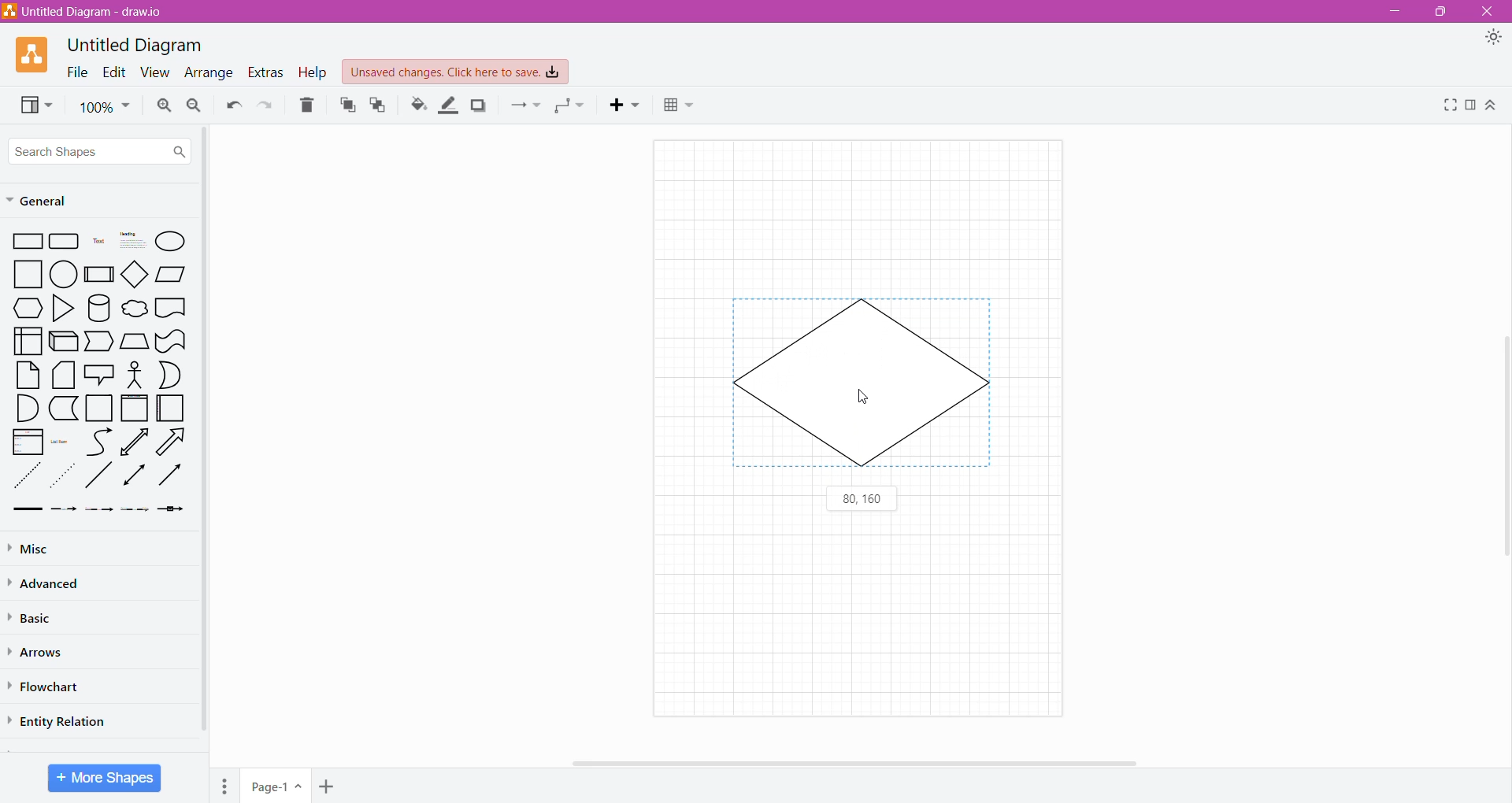  Describe the element at coordinates (449, 105) in the screenshot. I see `Line Color` at that location.